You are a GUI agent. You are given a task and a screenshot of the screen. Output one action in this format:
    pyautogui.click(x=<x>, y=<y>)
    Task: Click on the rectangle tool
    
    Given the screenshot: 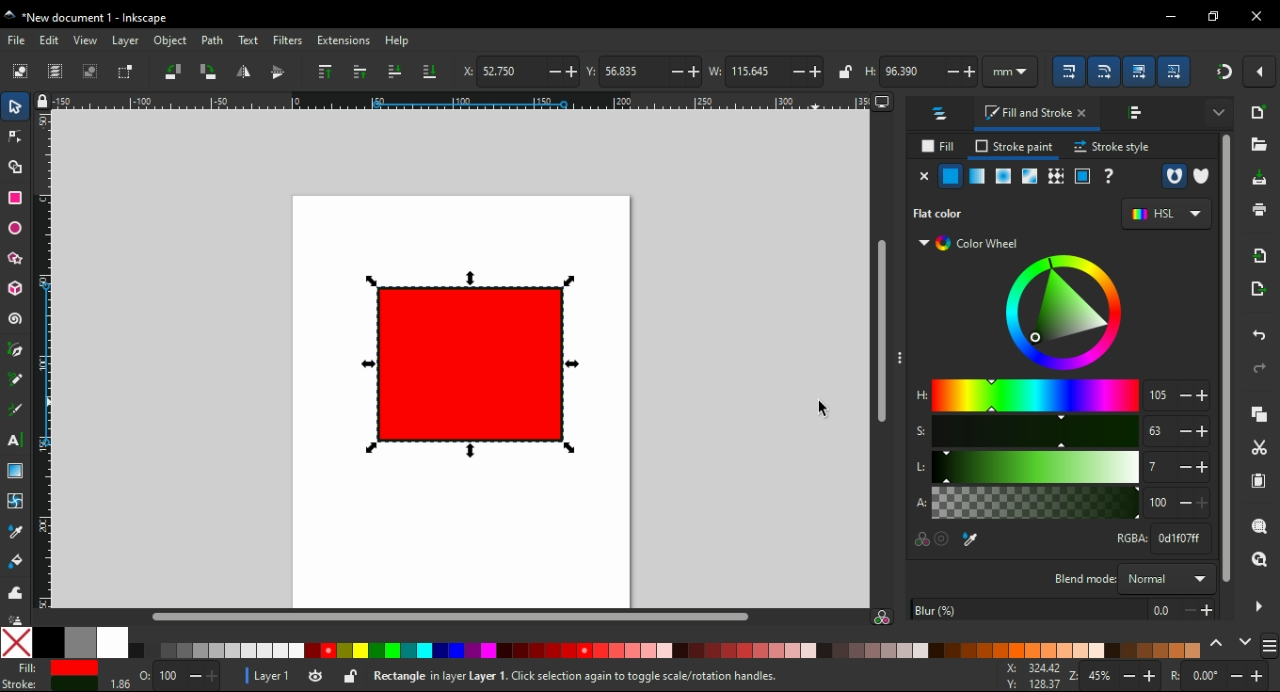 What is the action you would take?
    pyautogui.click(x=15, y=197)
    